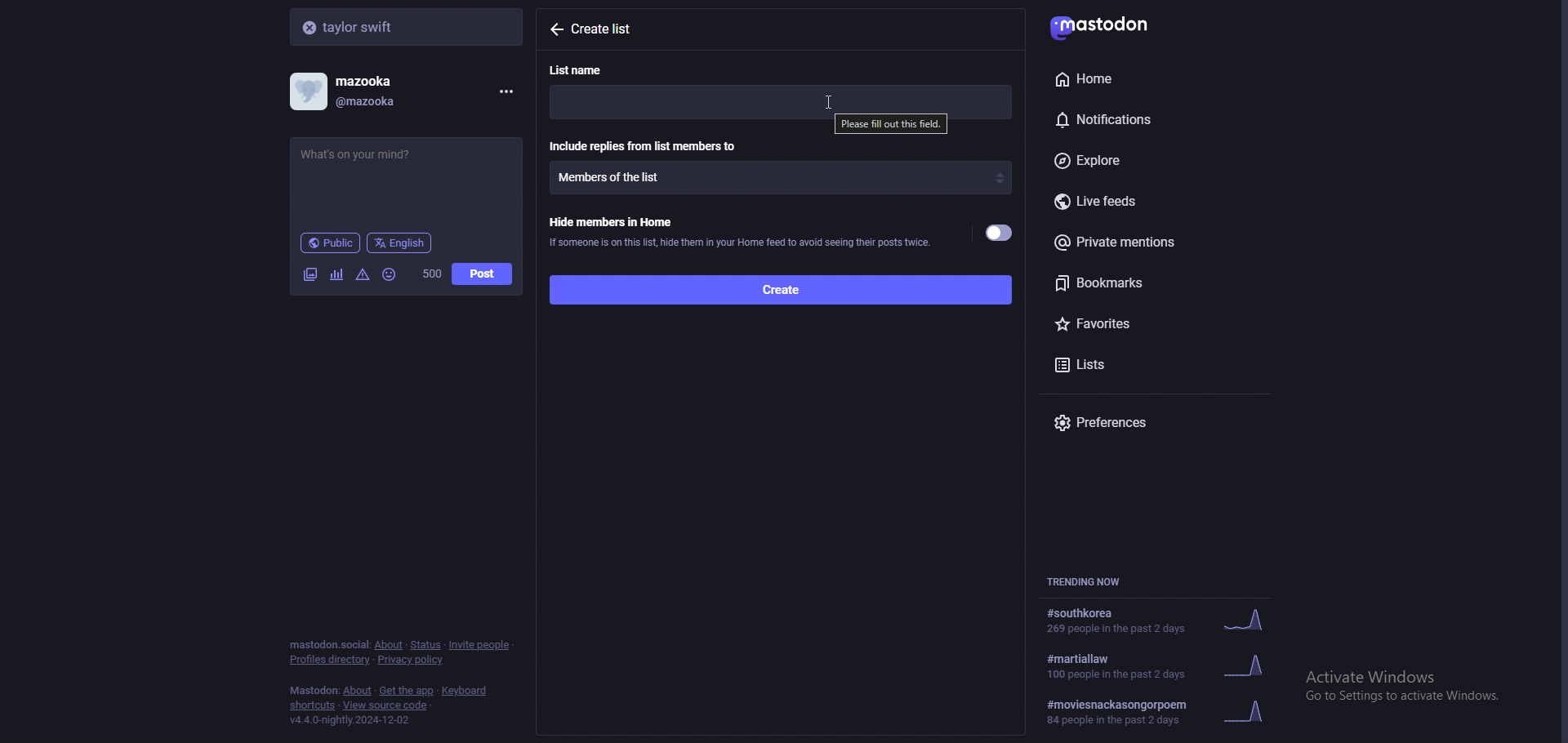 The width and height of the screenshot is (1568, 743). Describe the element at coordinates (407, 691) in the screenshot. I see `get the app` at that location.